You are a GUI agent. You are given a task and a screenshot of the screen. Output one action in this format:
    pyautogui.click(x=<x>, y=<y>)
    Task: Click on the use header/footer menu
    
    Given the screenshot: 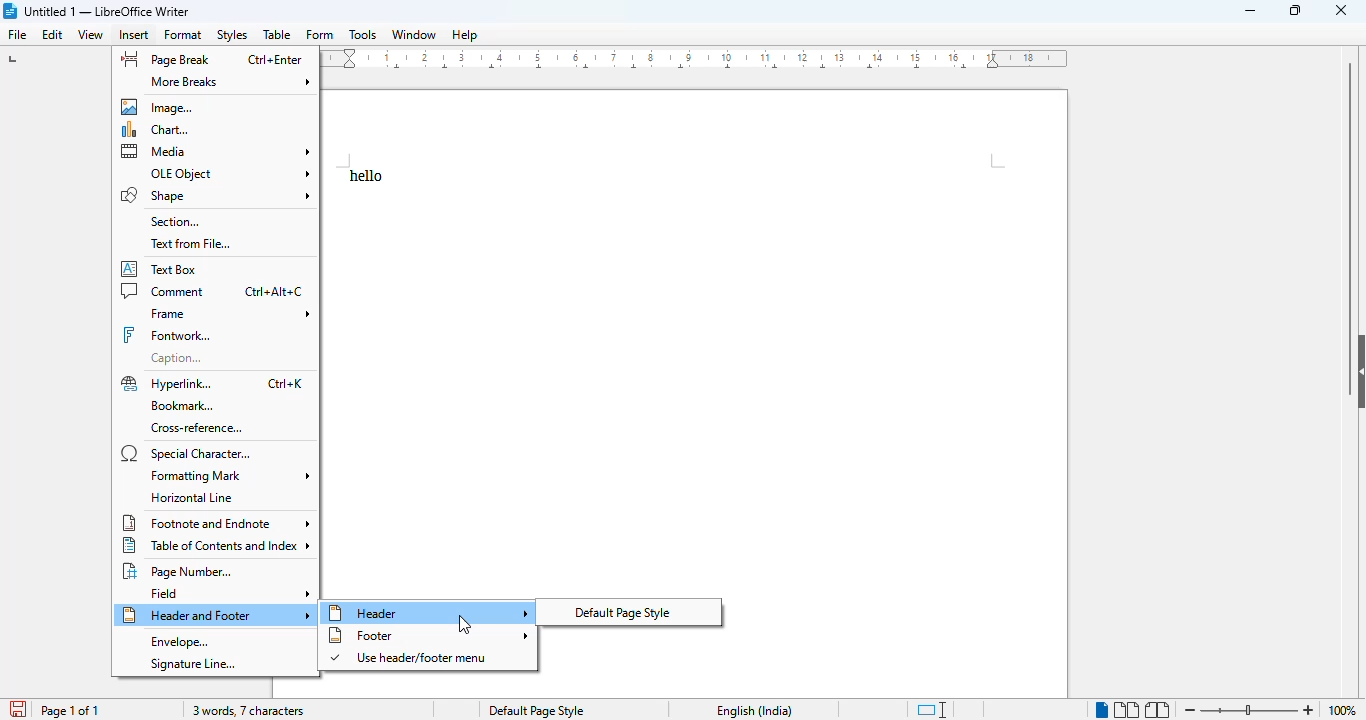 What is the action you would take?
    pyautogui.click(x=411, y=658)
    